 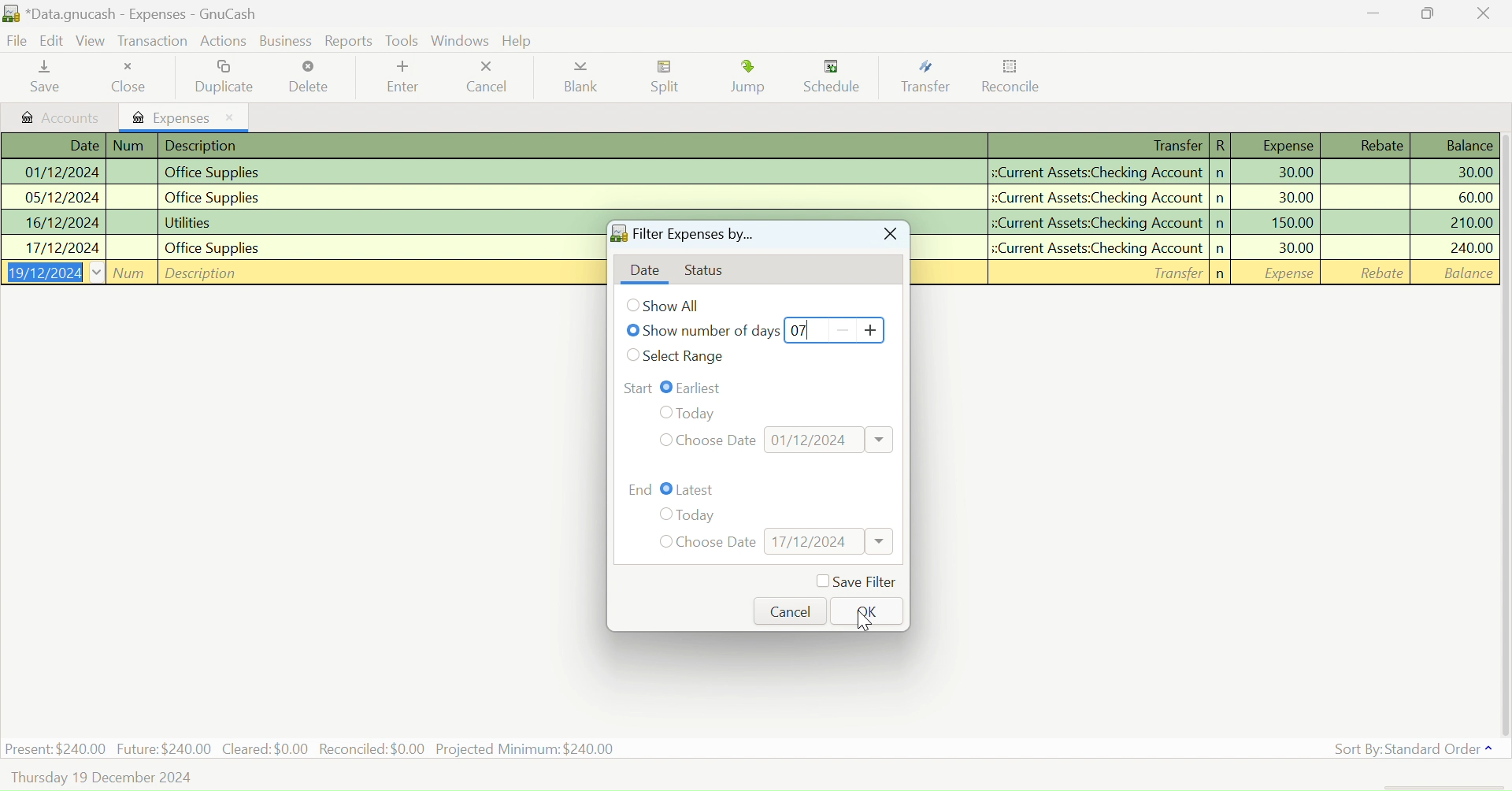 What do you see at coordinates (309, 77) in the screenshot?
I see `Delete` at bounding box center [309, 77].